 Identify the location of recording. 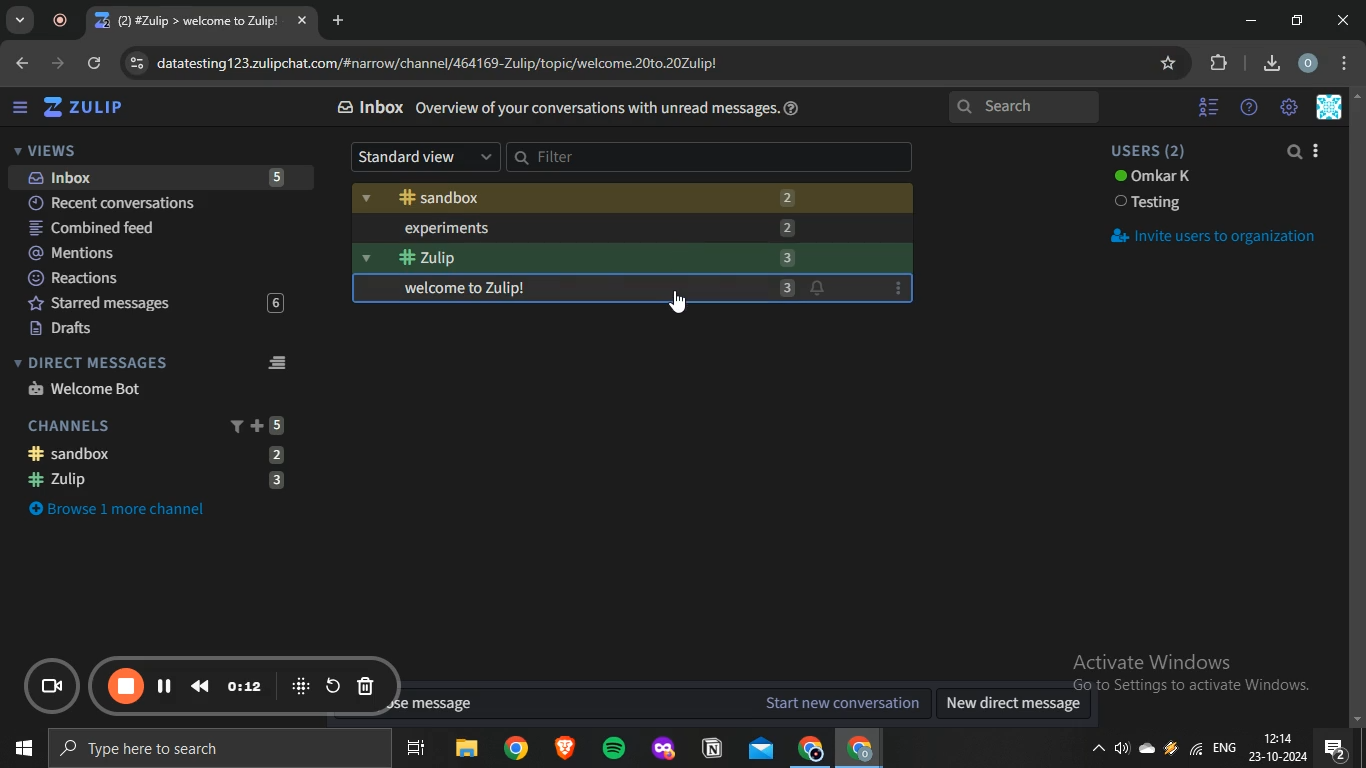
(65, 21).